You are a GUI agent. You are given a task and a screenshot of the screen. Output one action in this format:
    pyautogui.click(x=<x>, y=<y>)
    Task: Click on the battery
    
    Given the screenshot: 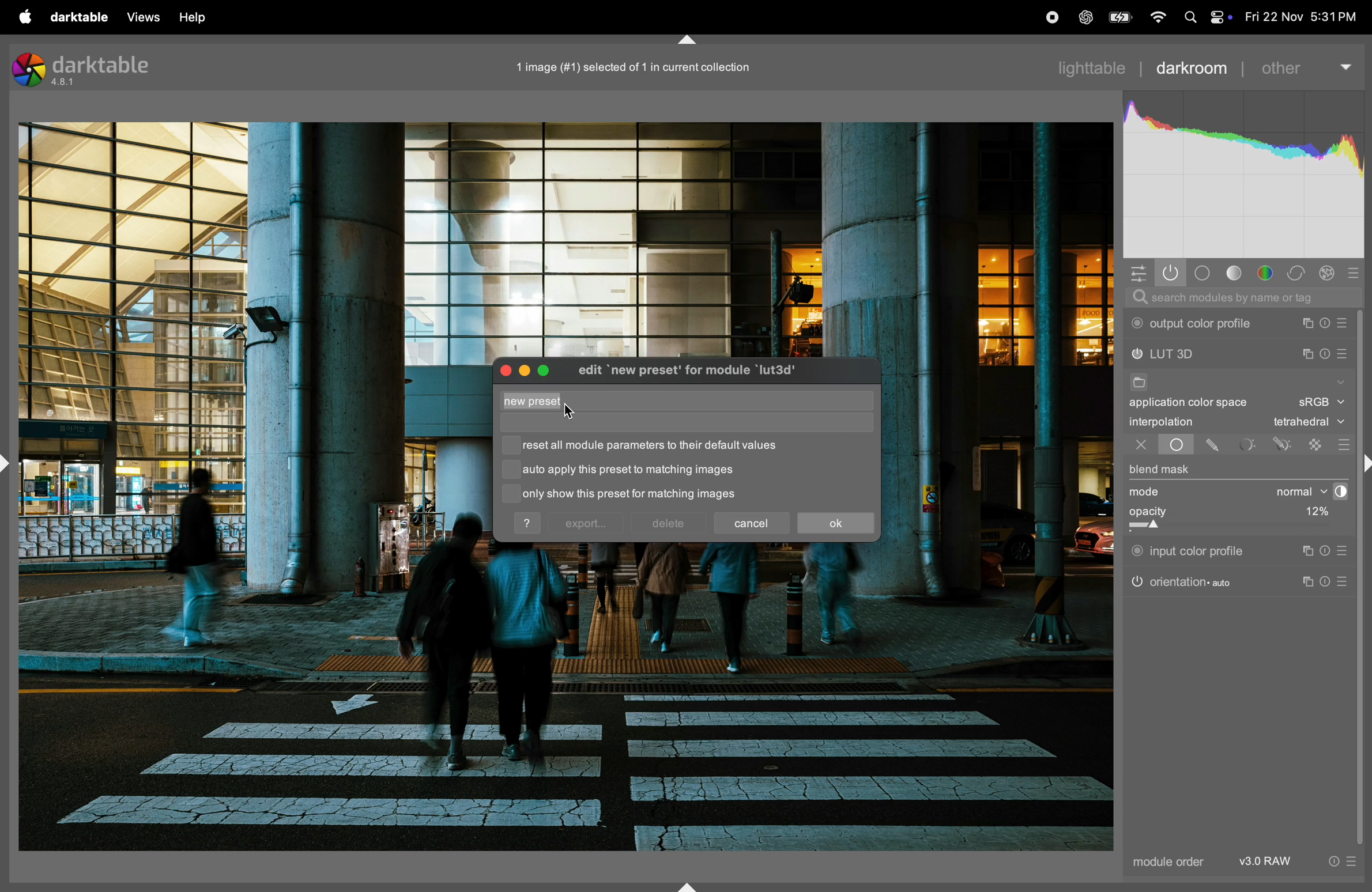 What is the action you would take?
    pyautogui.click(x=1118, y=17)
    